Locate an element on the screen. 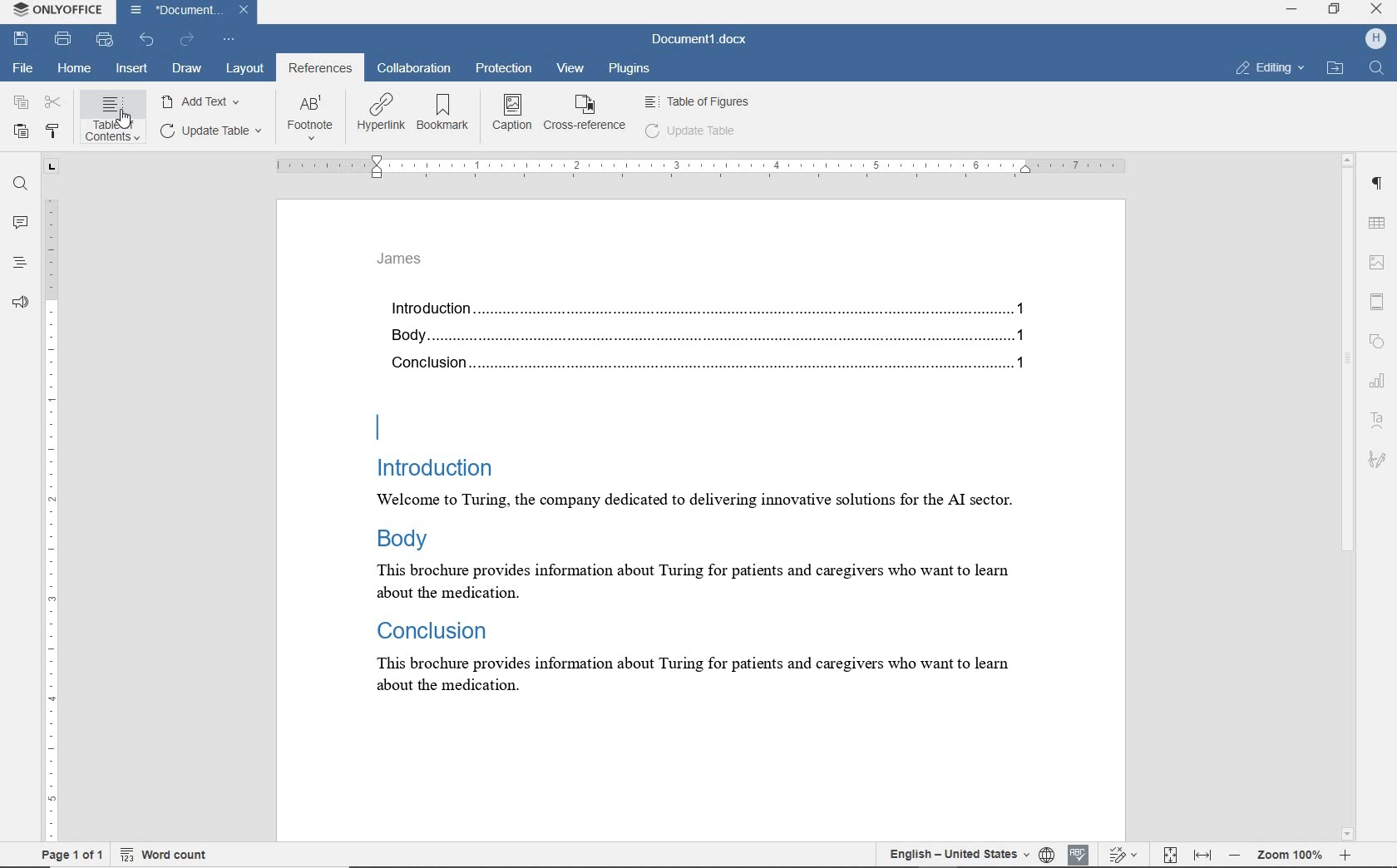 This screenshot has width=1397, height=868. fit to page is located at coordinates (1172, 855).